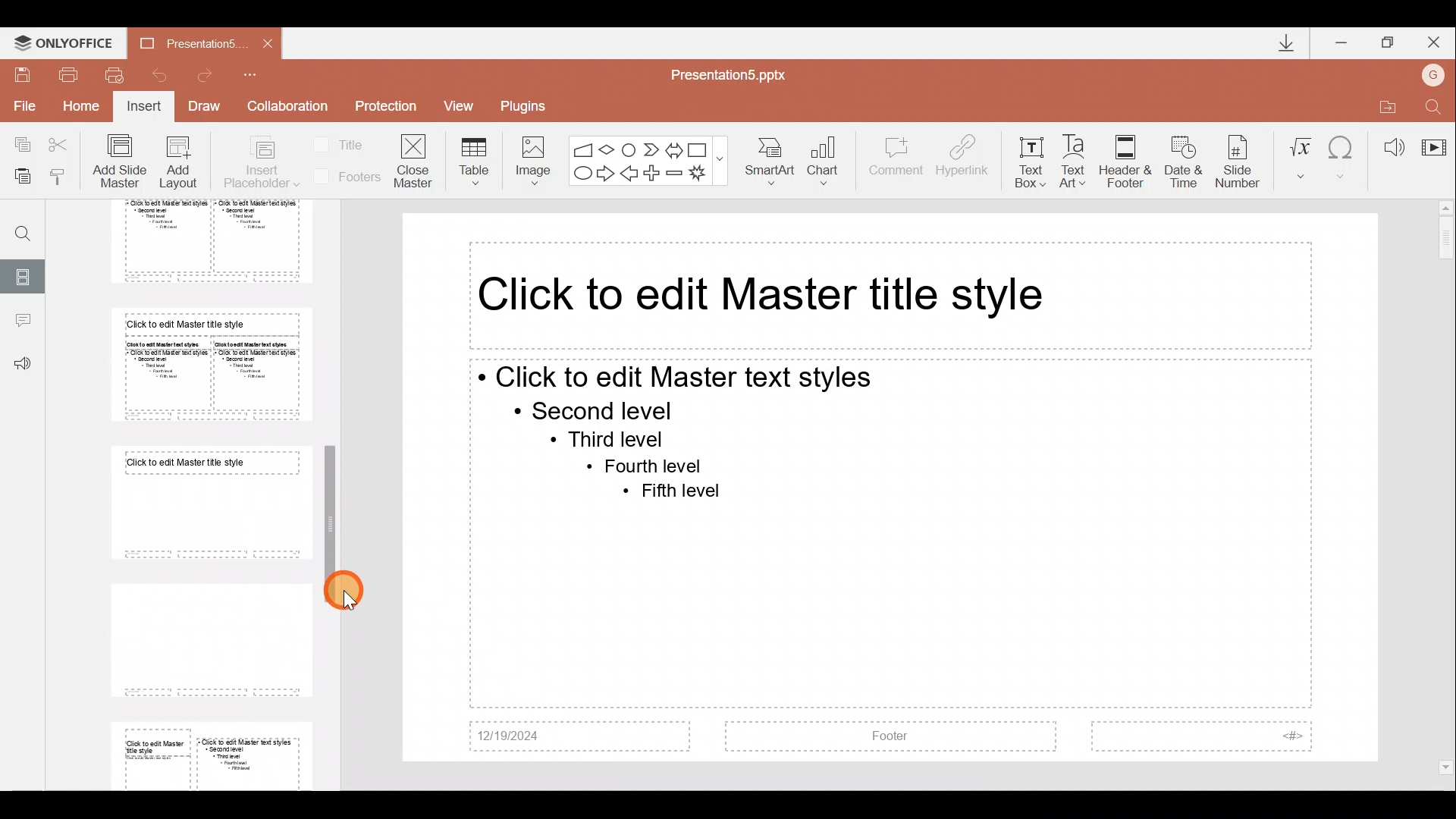  What do you see at coordinates (1241, 158) in the screenshot?
I see `Slide number` at bounding box center [1241, 158].